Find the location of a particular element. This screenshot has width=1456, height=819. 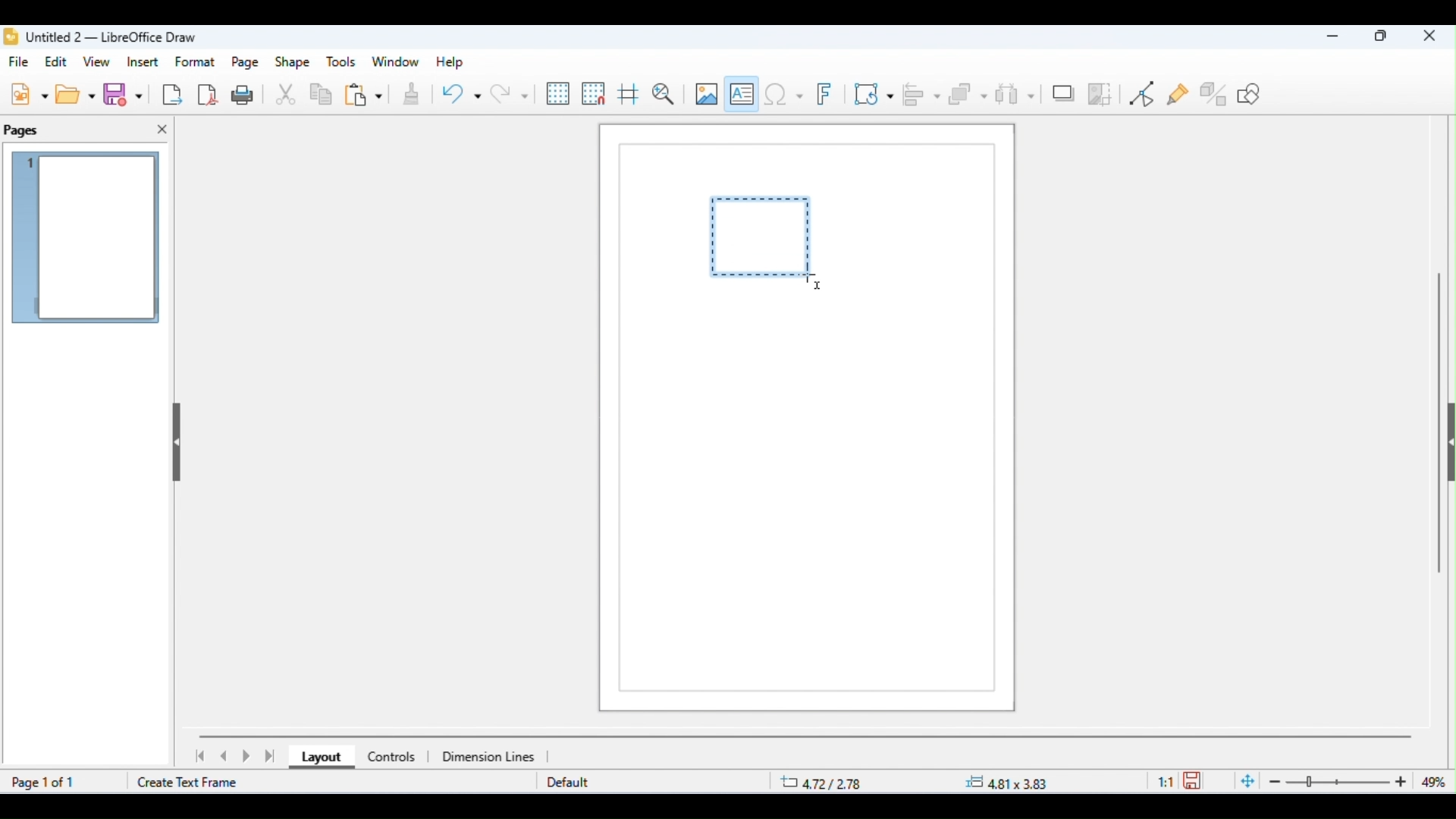

minimize is located at coordinates (1328, 39).